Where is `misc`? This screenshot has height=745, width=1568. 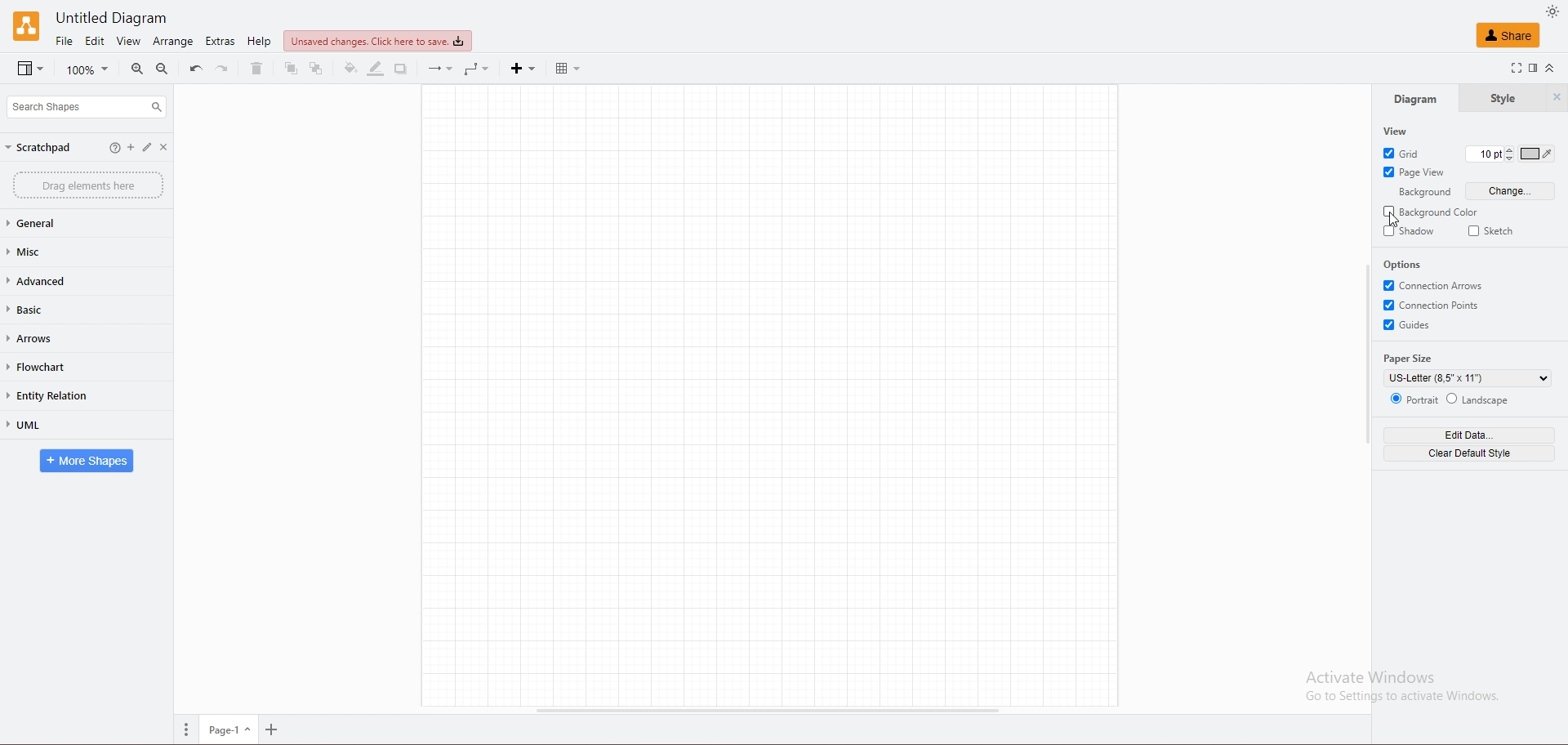
misc is located at coordinates (67, 252).